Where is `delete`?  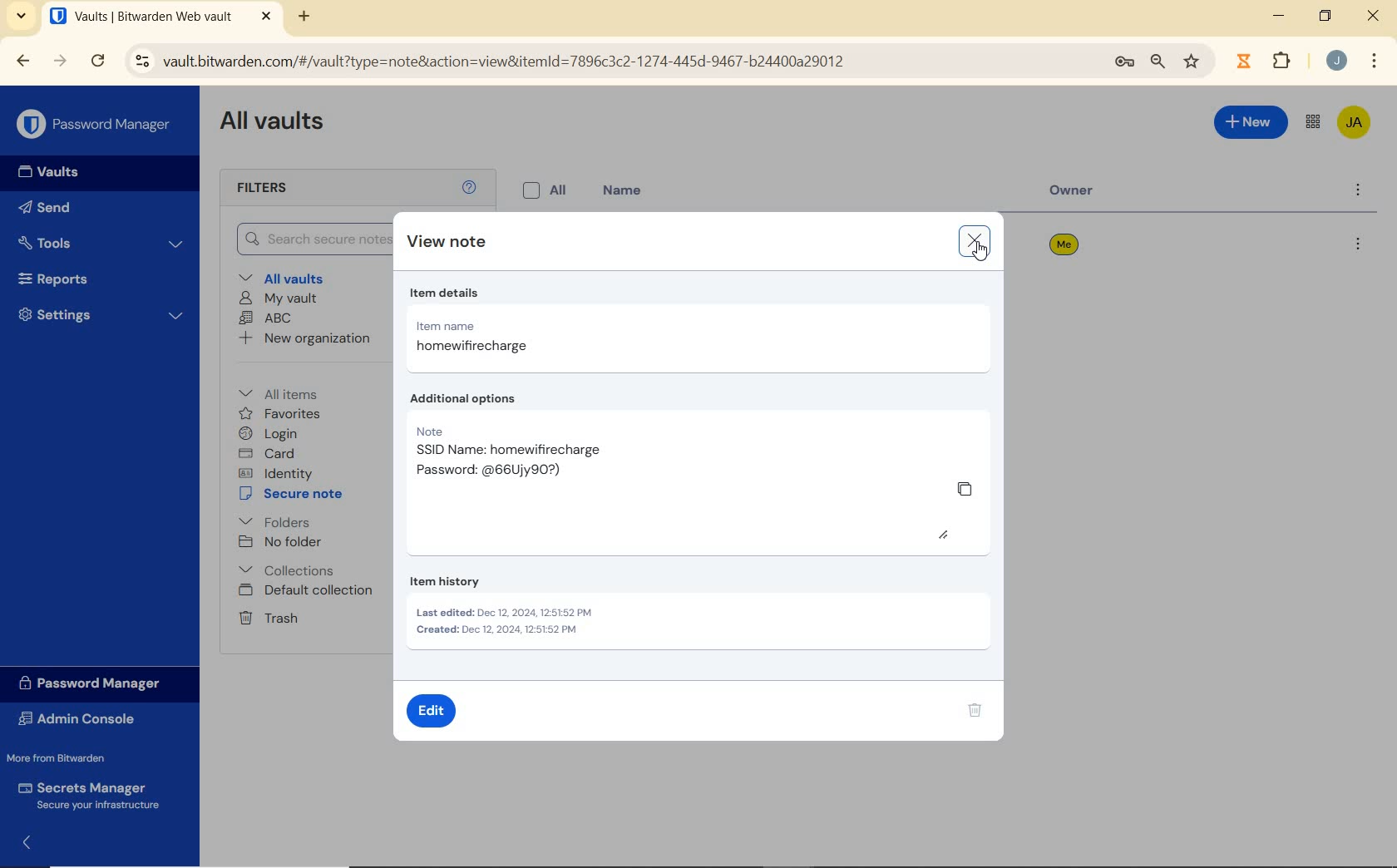 delete is located at coordinates (976, 713).